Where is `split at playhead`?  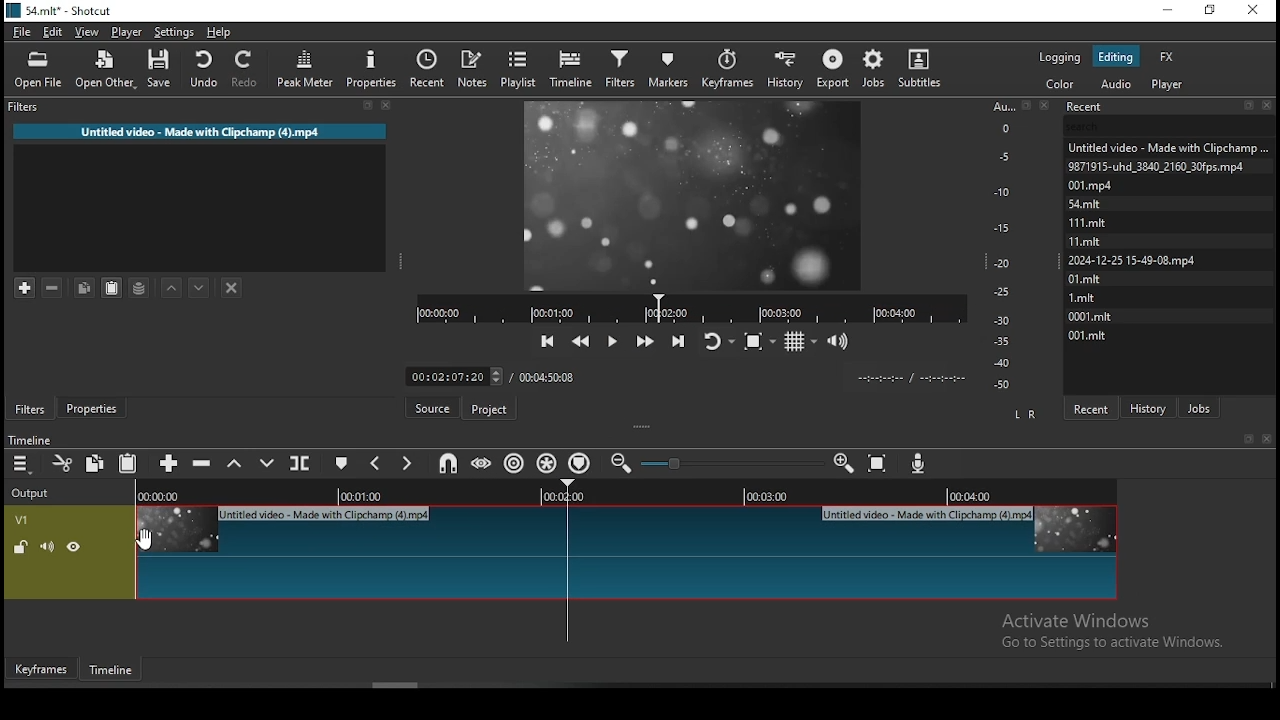
split at playhead is located at coordinates (302, 461).